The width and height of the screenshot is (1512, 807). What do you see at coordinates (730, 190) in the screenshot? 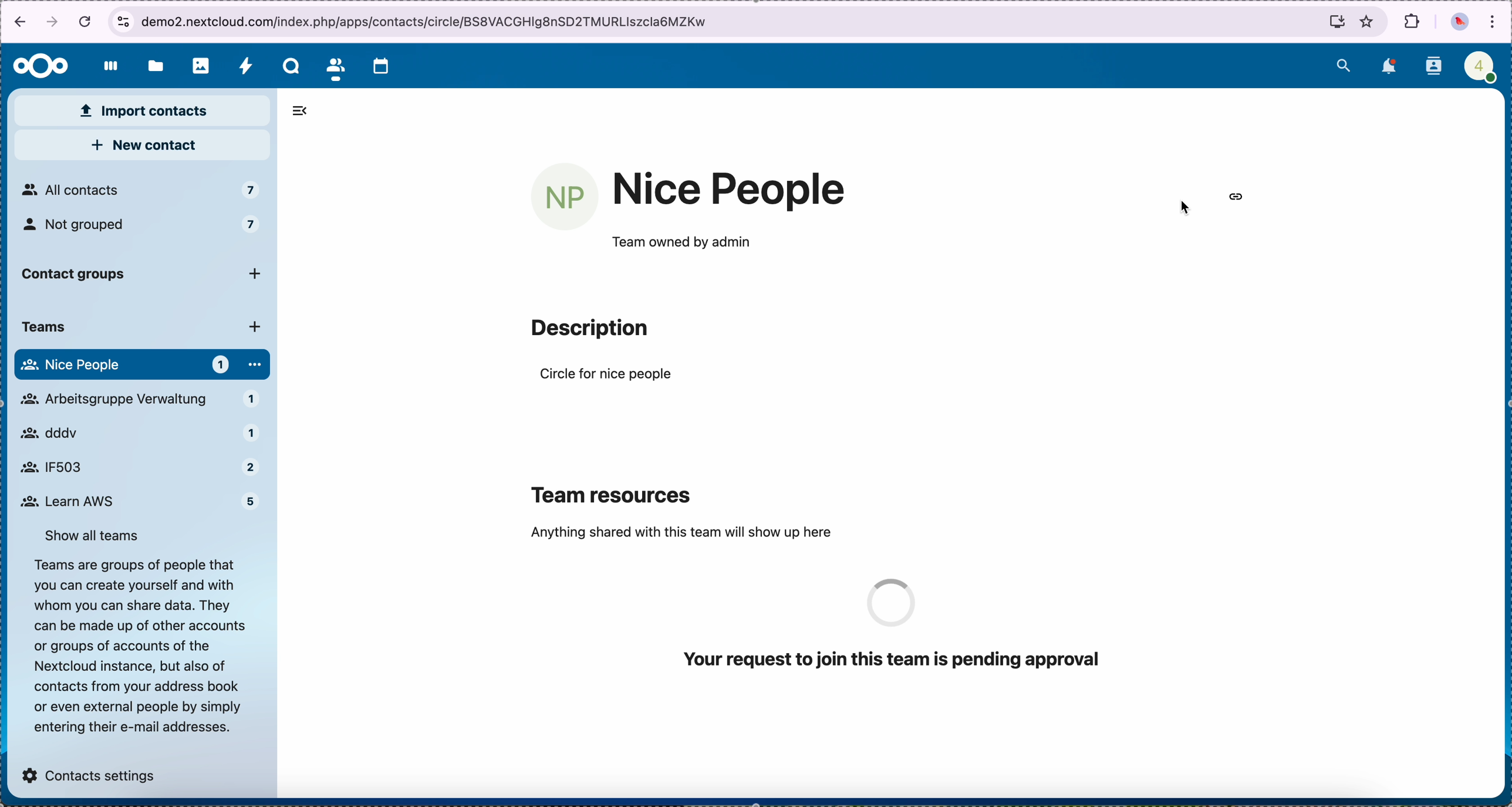
I see `nice people team` at bounding box center [730, 190].